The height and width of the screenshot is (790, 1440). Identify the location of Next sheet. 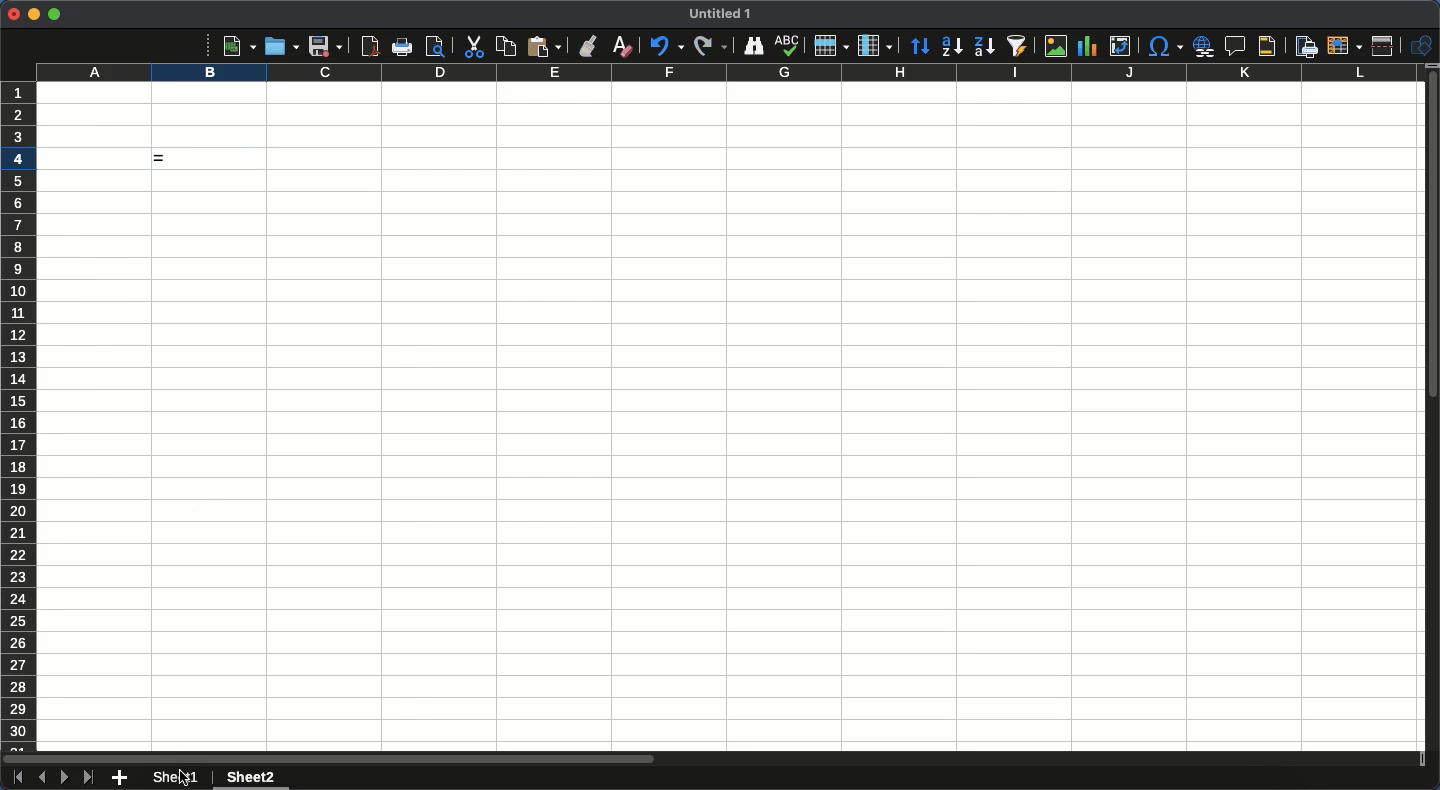
(65, 778).